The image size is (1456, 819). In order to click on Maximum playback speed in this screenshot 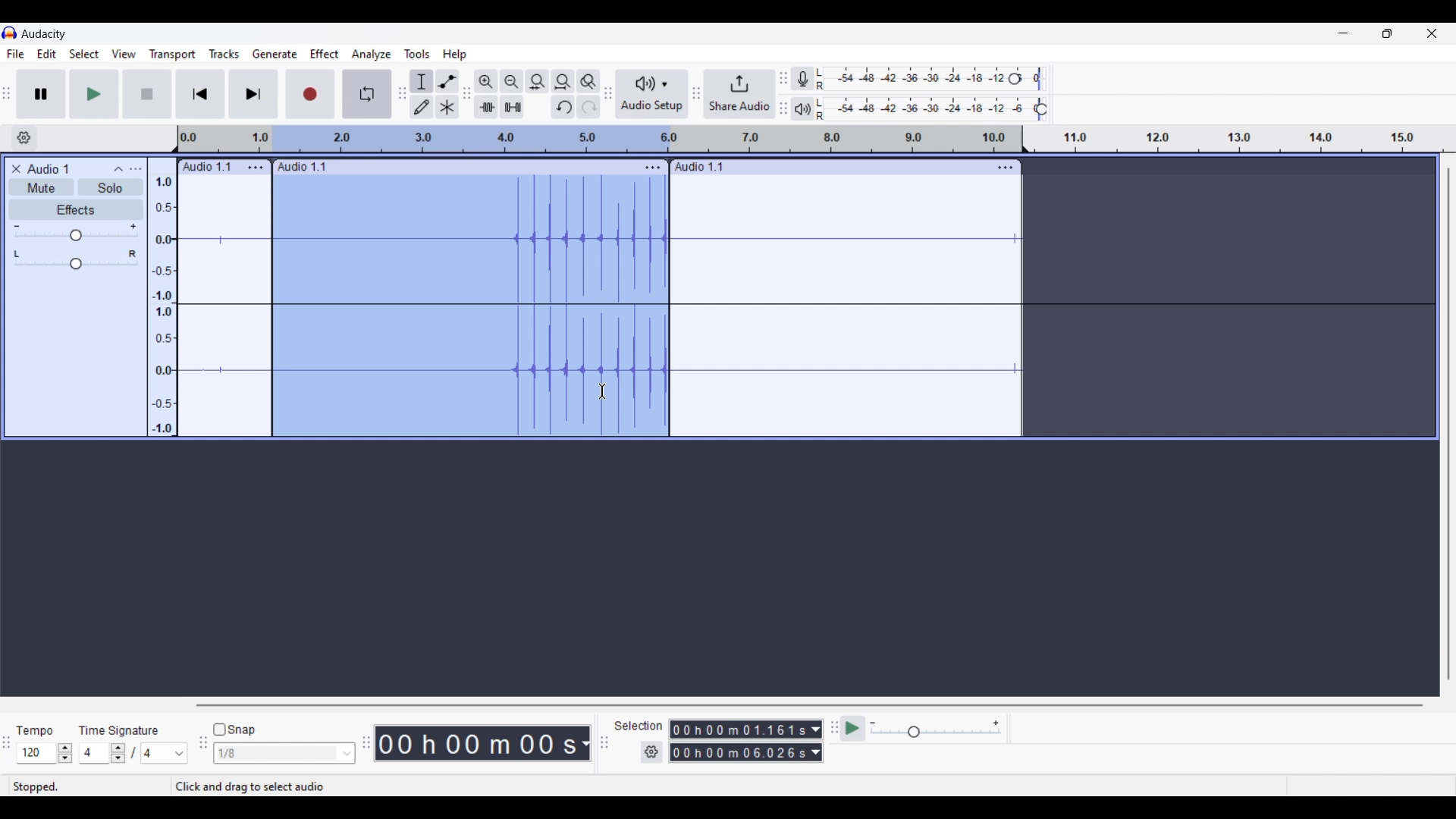, I will do `click(996, 723)`.